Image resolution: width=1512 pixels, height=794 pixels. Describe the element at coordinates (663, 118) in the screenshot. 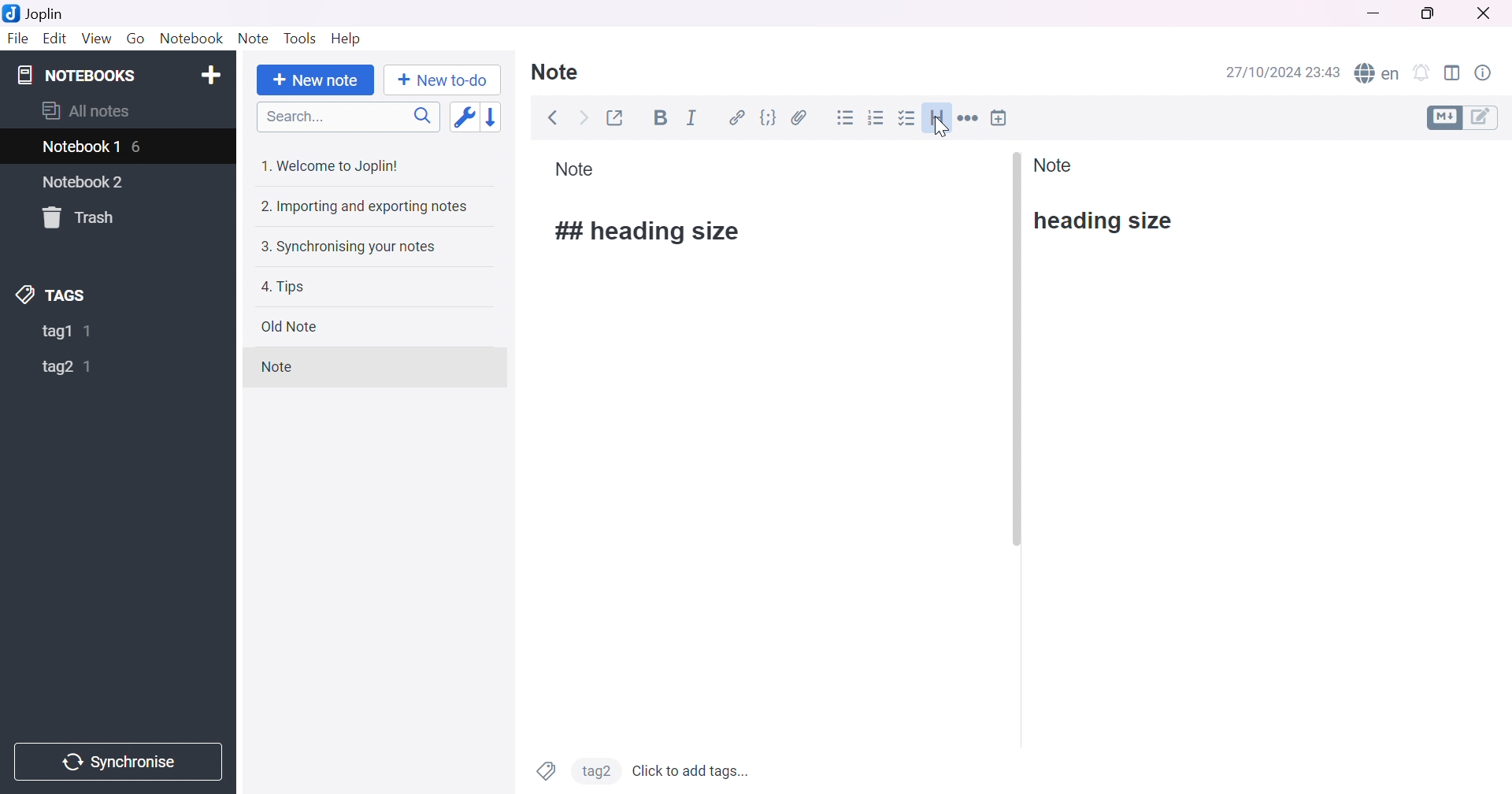

I see `Bold` at that location.